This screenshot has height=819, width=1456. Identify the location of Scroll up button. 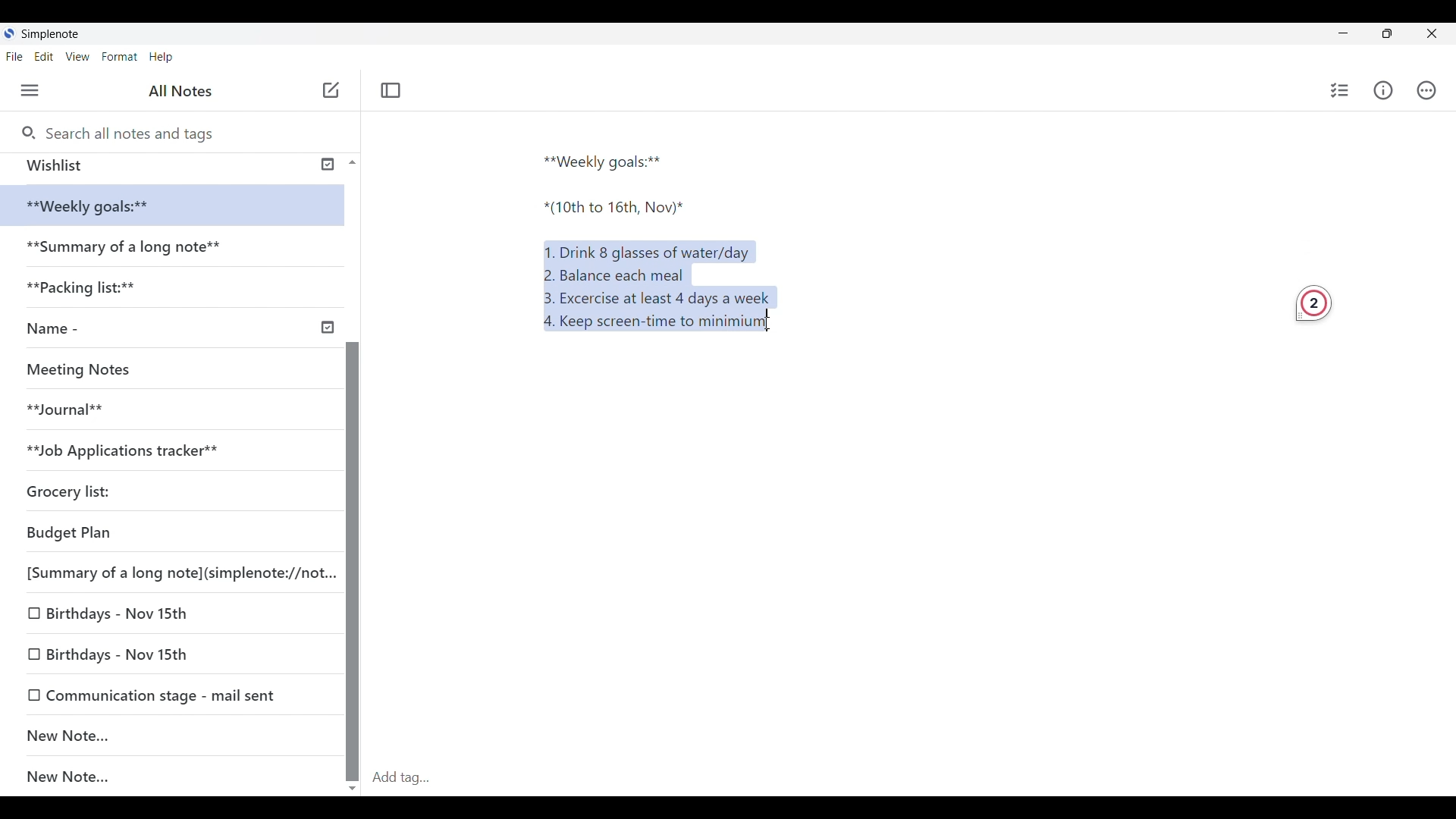
(348, 162).